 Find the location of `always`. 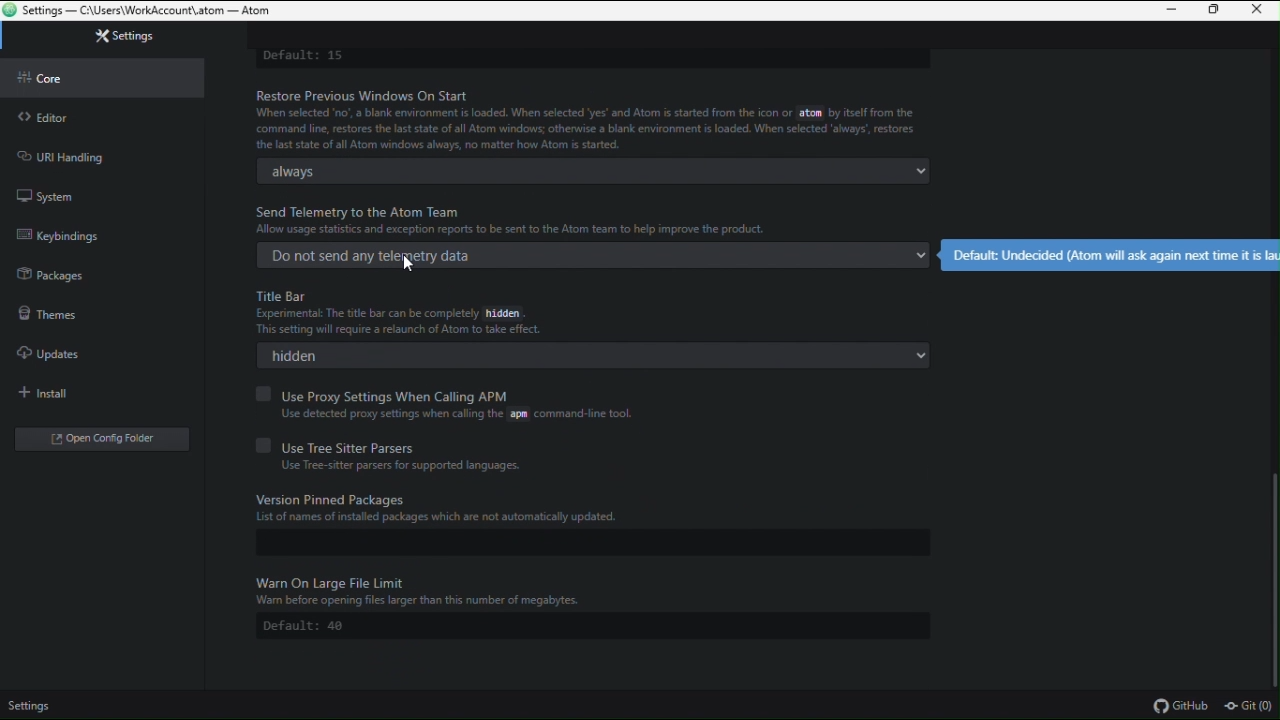

always is located at coordinates (600, 172).